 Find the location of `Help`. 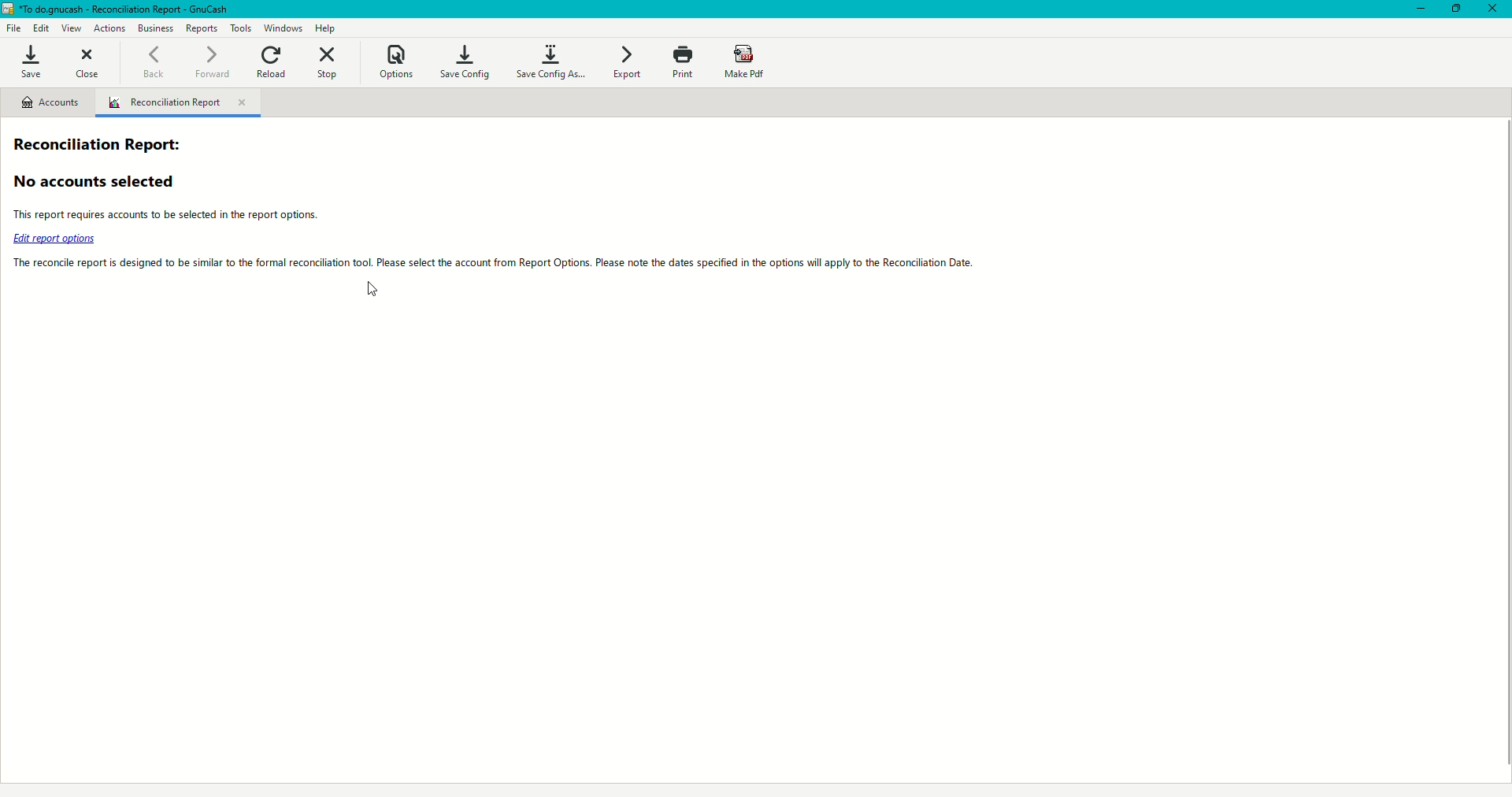

Help is located at coordinates (326, 28).